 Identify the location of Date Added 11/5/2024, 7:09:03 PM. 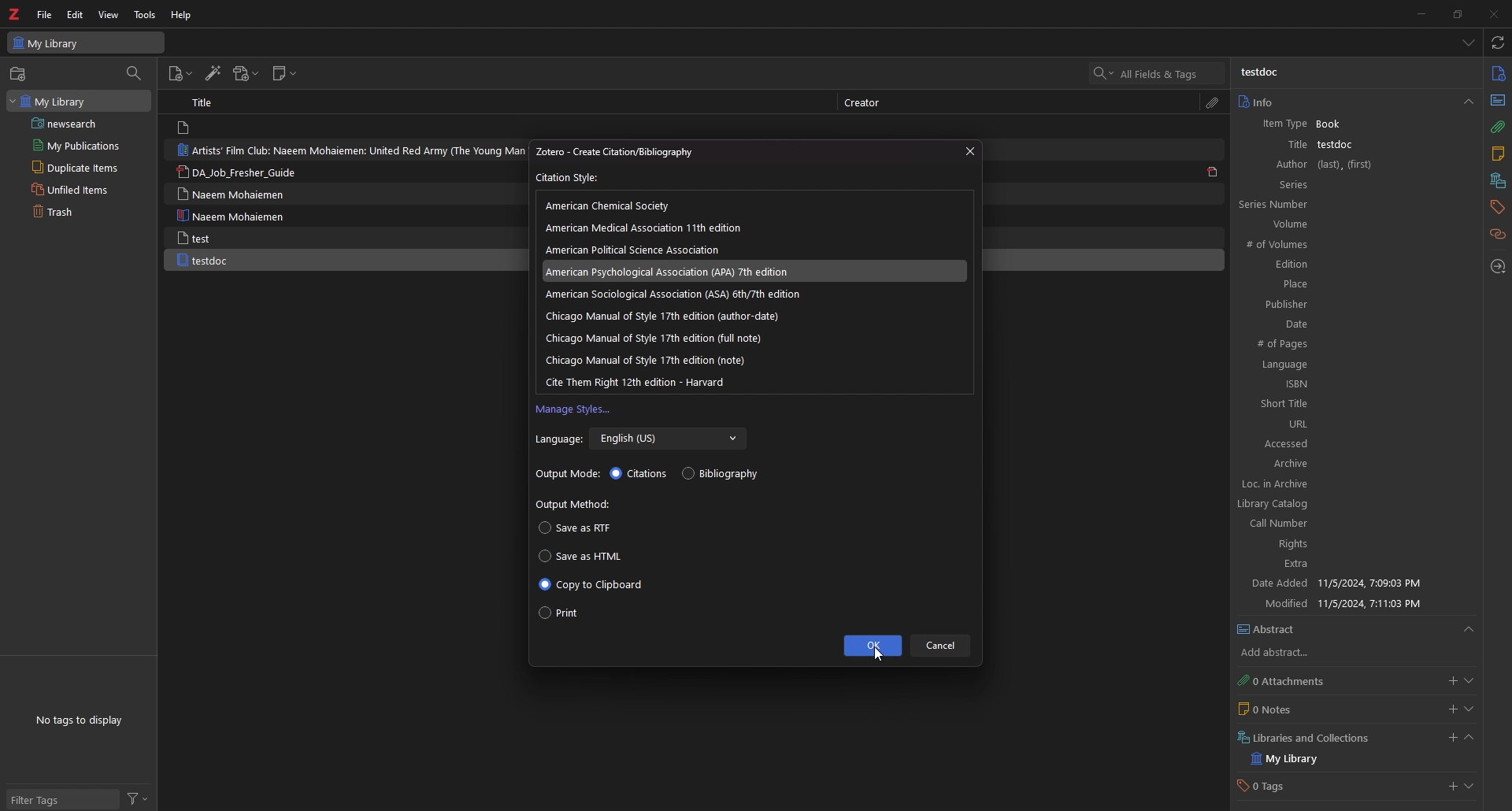
(1348, 584).